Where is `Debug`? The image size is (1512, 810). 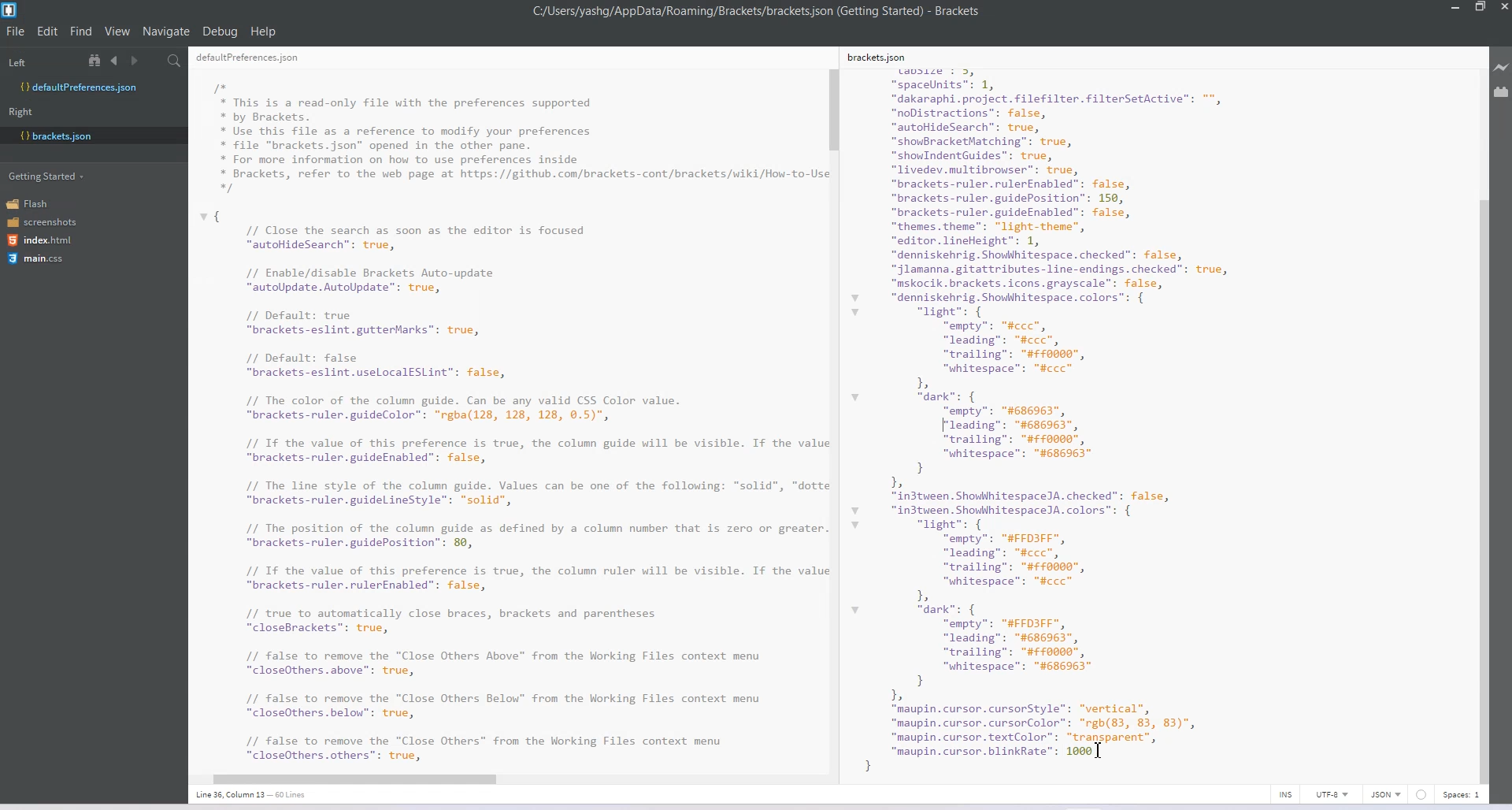
Debug is located at coordinates (220, 31).